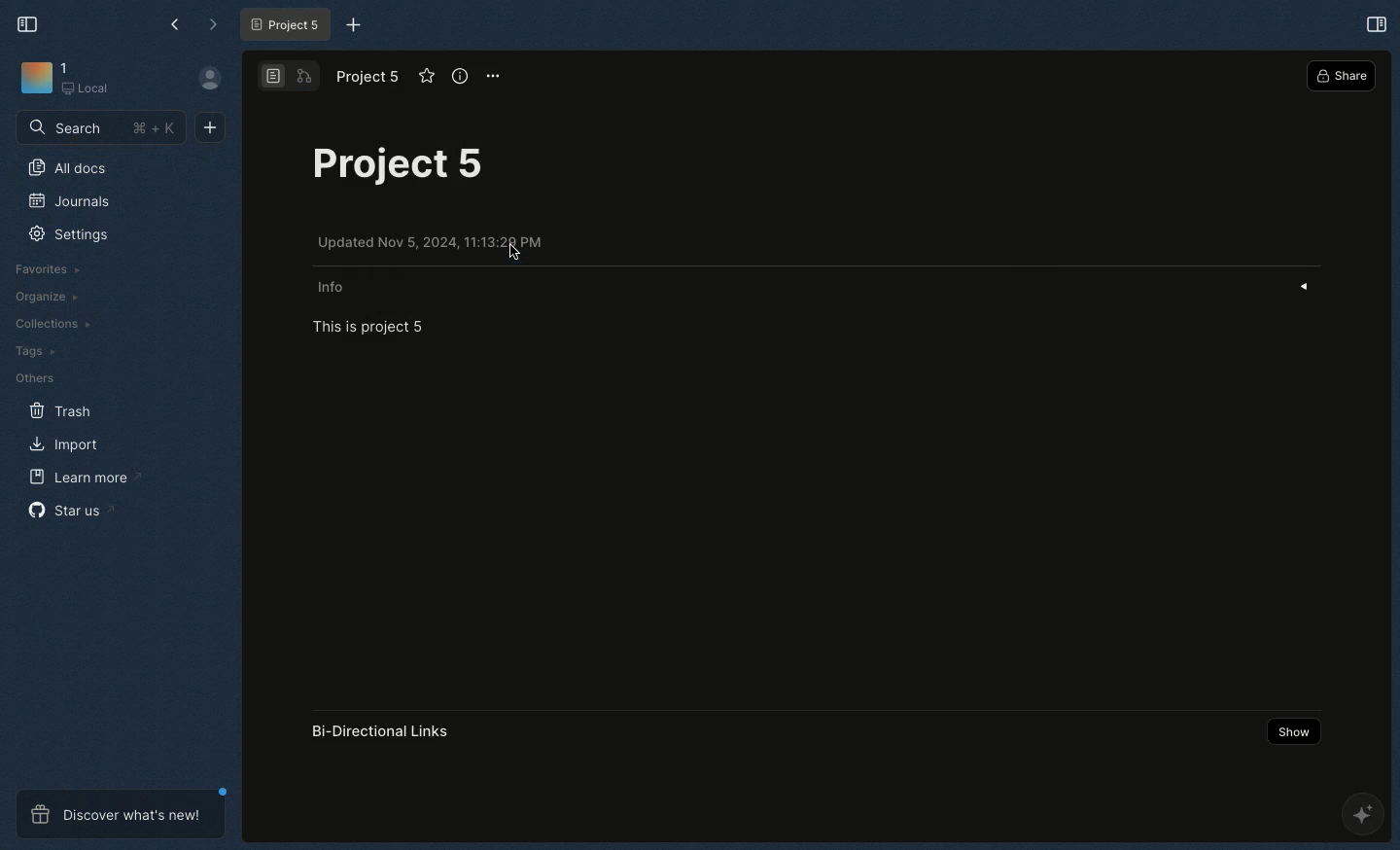 This screenshot has width=1400, height=850. I want to click on Collapse sidebar, so click(26, 22).